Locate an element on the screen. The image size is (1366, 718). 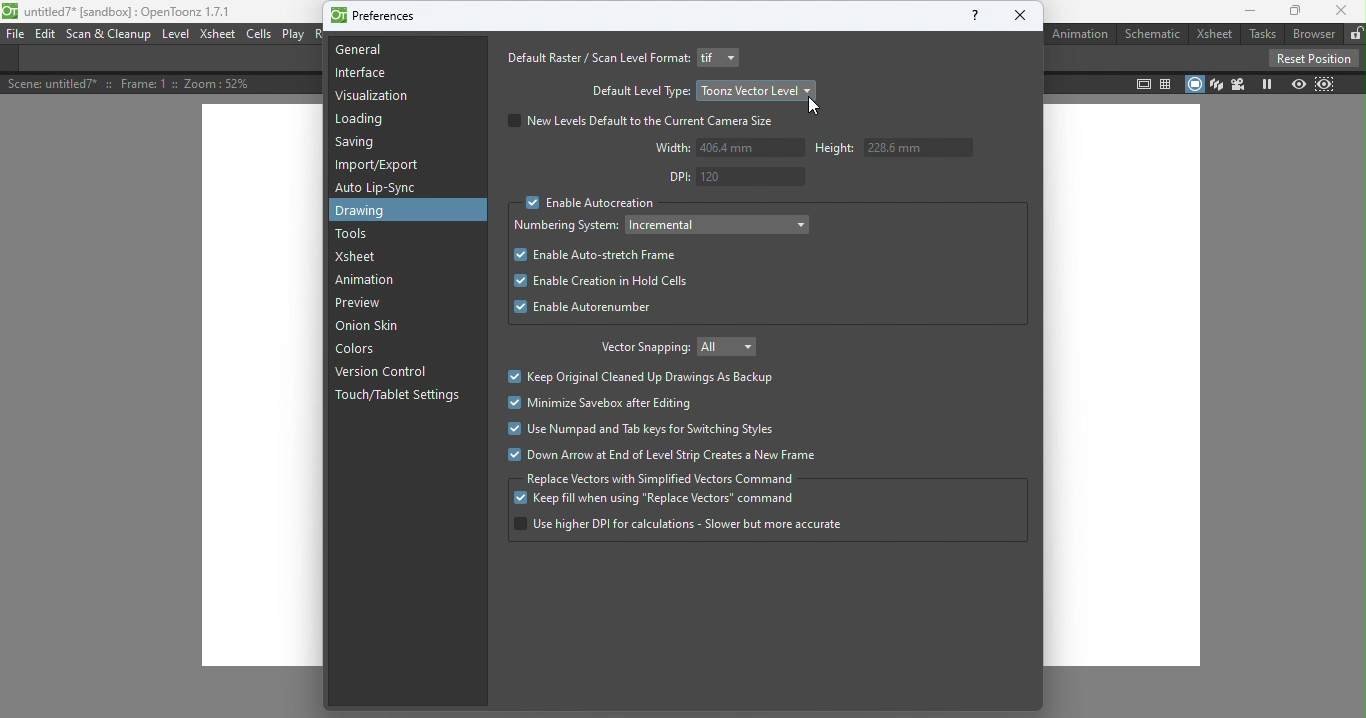
Scan & Cleanup is located at coordinates (111, 37).